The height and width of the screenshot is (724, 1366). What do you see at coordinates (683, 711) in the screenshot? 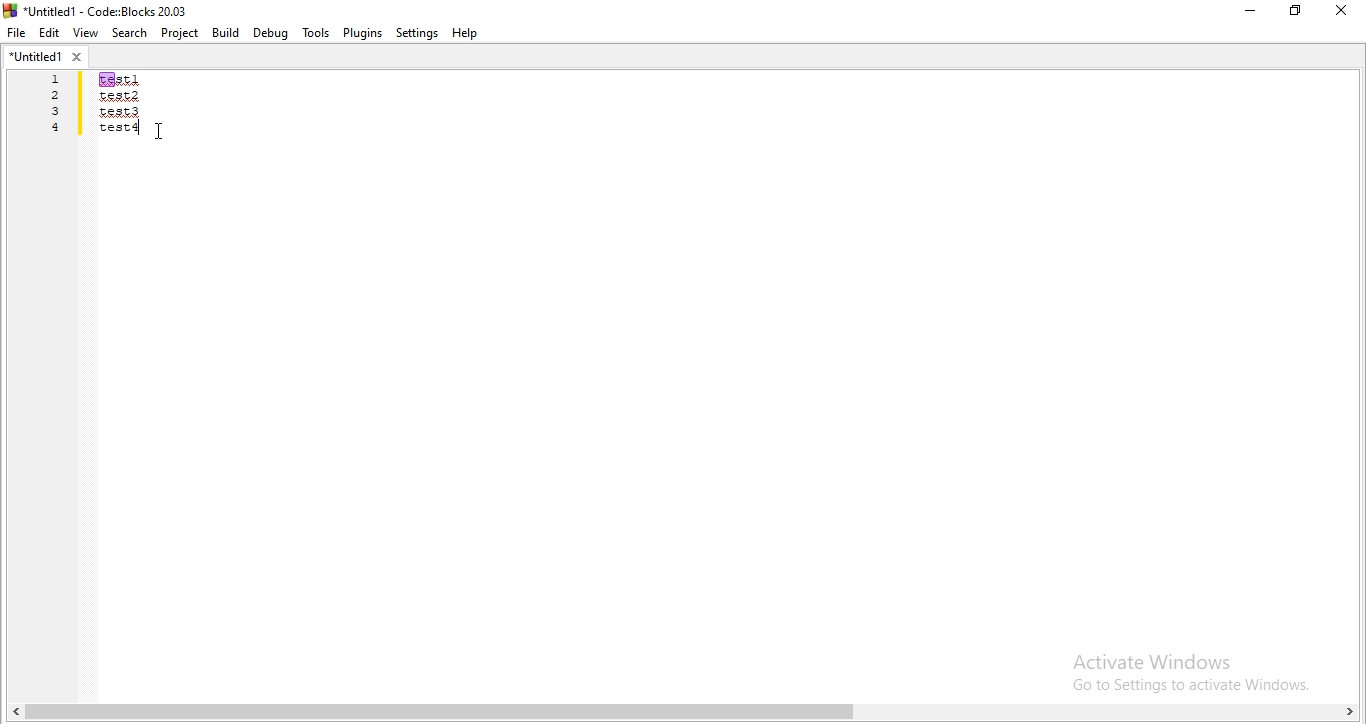
I see `scroll bar` at bounding box center [683, 711].